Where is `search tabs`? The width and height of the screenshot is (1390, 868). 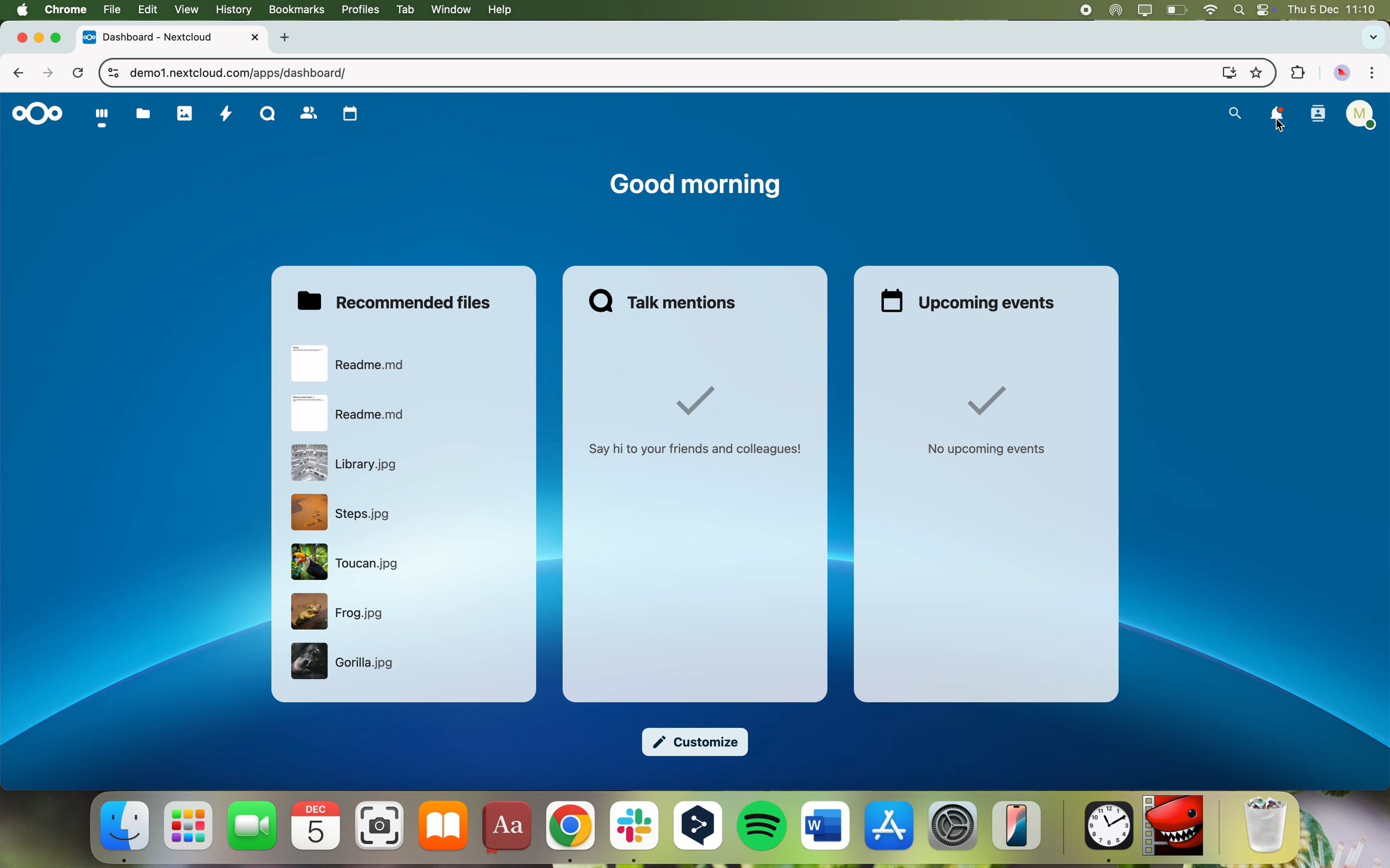
search tabs is located at coordinates (1372, 38).